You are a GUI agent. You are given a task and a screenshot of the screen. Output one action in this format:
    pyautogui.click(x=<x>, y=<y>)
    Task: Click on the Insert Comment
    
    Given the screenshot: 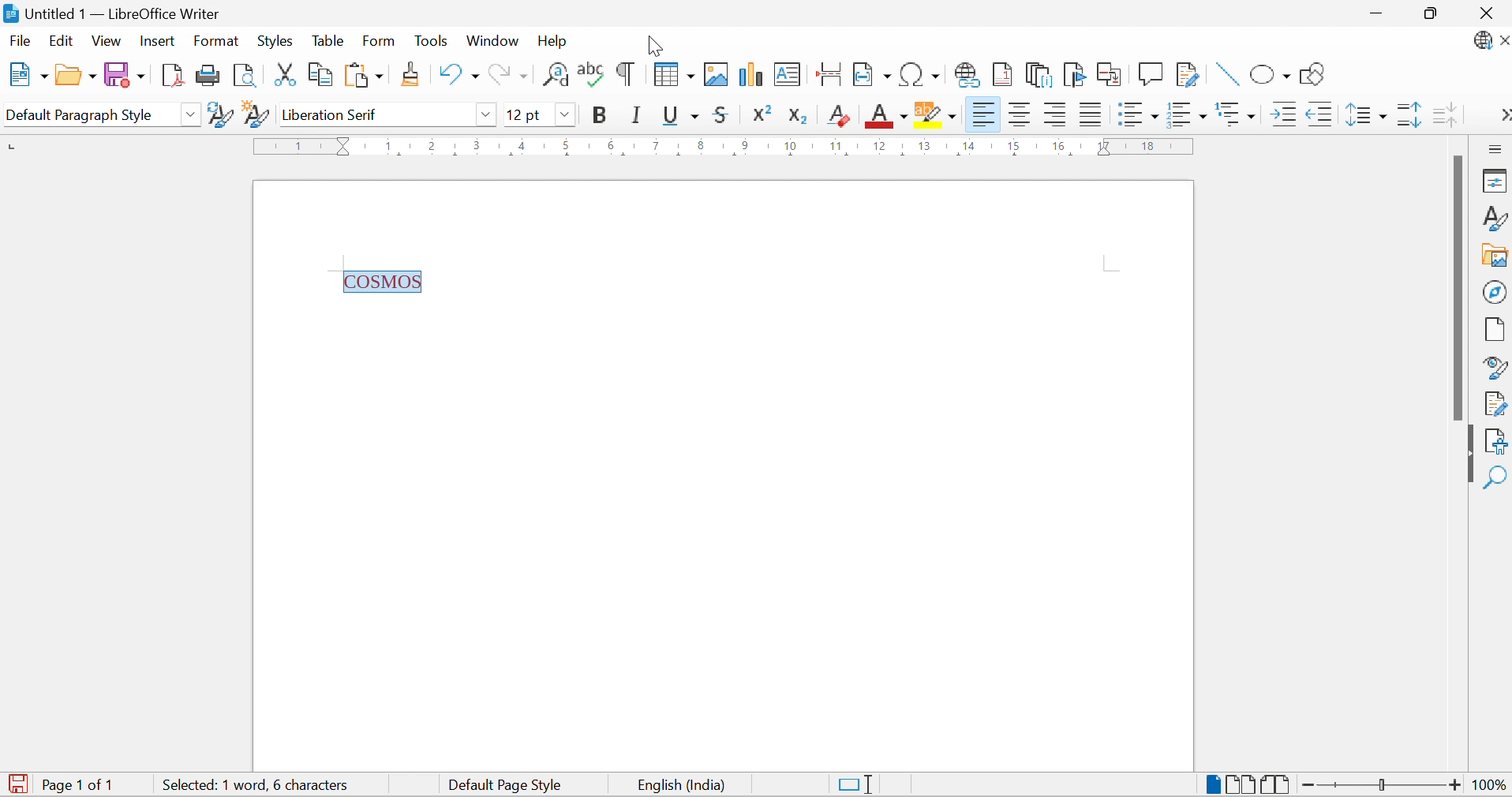 What is the action you would take?
    pyautogui.click(x=1152, y=73)
    